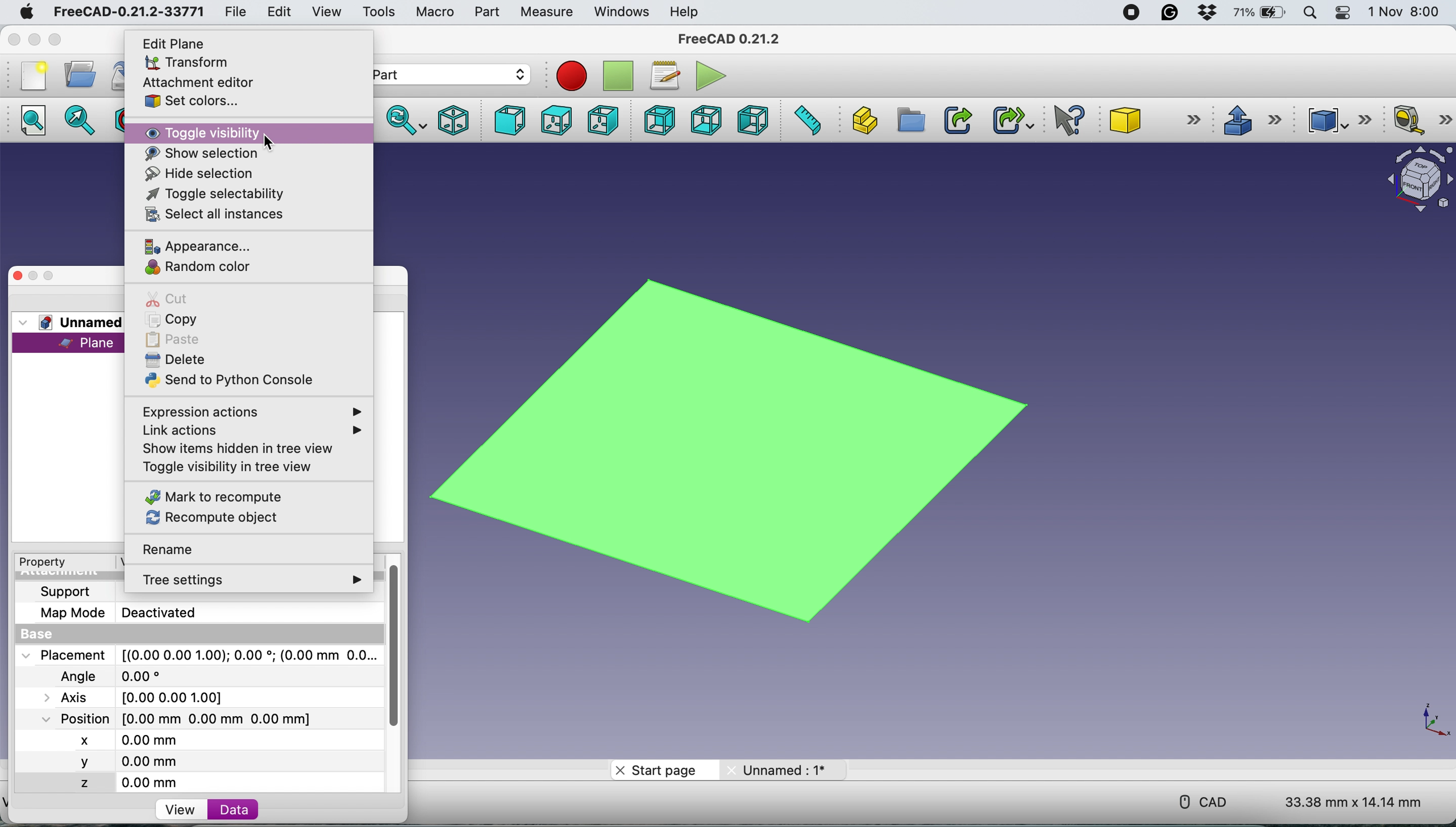 Image resolution: width=1456 pixels, height=827 pixels. Describe the element at coordinates (659, 119) in the screenshot. I see `rear` at that location.